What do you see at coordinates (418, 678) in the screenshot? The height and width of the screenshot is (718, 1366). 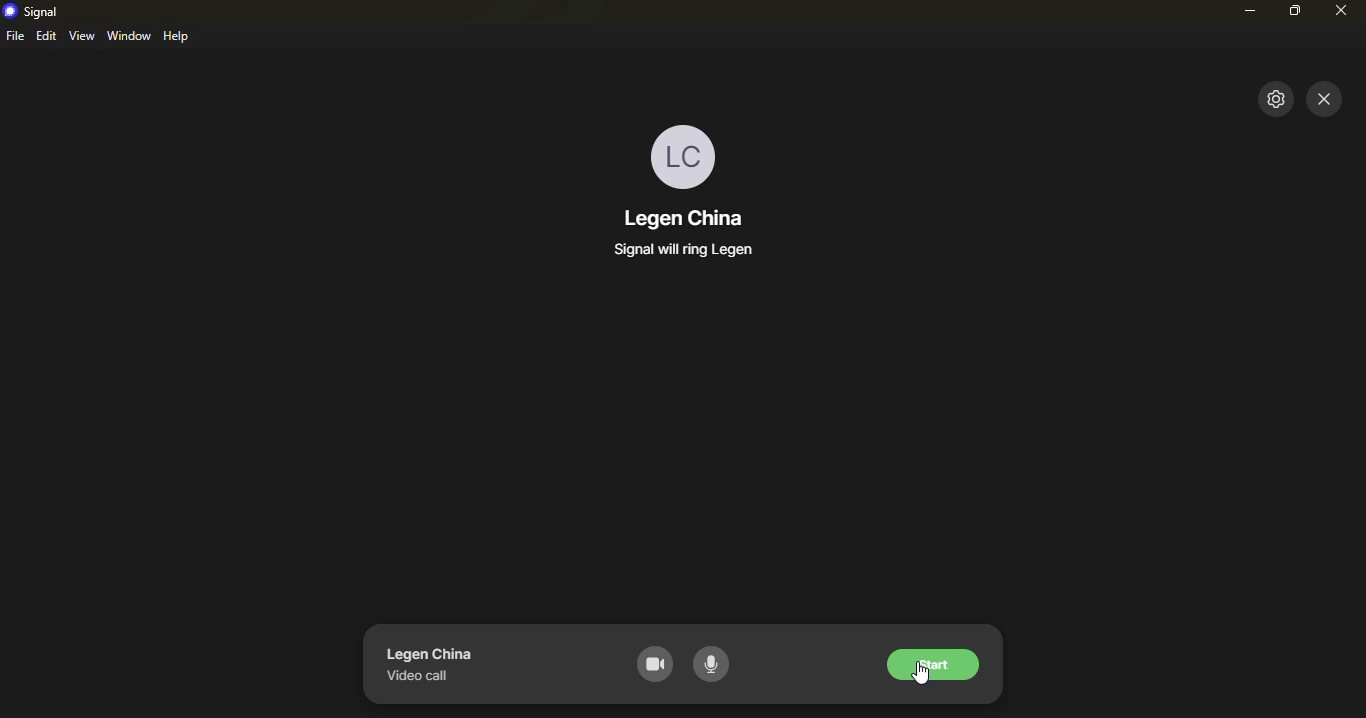 I see `video call` at bounding box center [418, 678].